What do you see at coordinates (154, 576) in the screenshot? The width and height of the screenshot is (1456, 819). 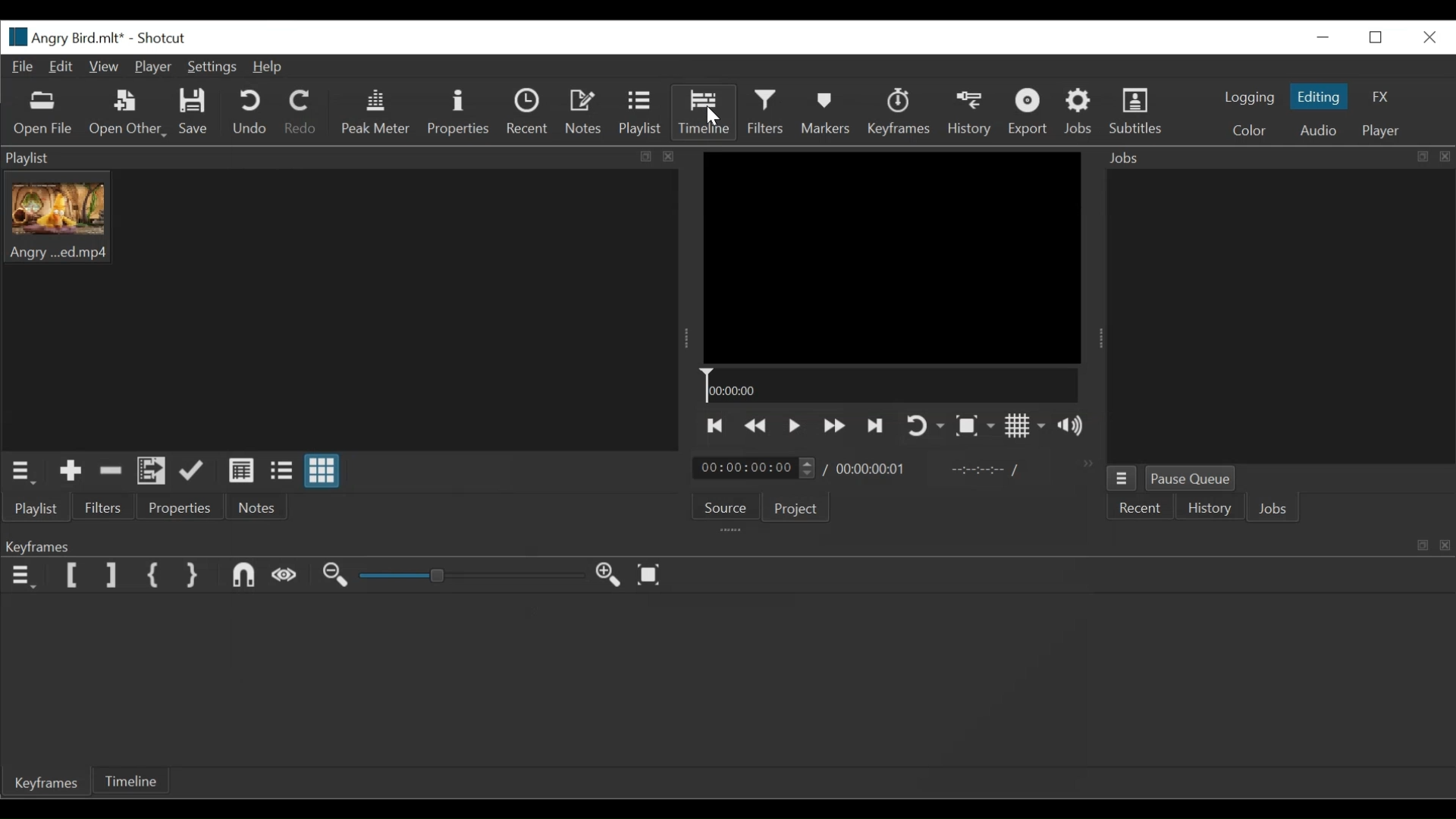 I see `Set First Simple keyframe` at bounding box center [154, 576].